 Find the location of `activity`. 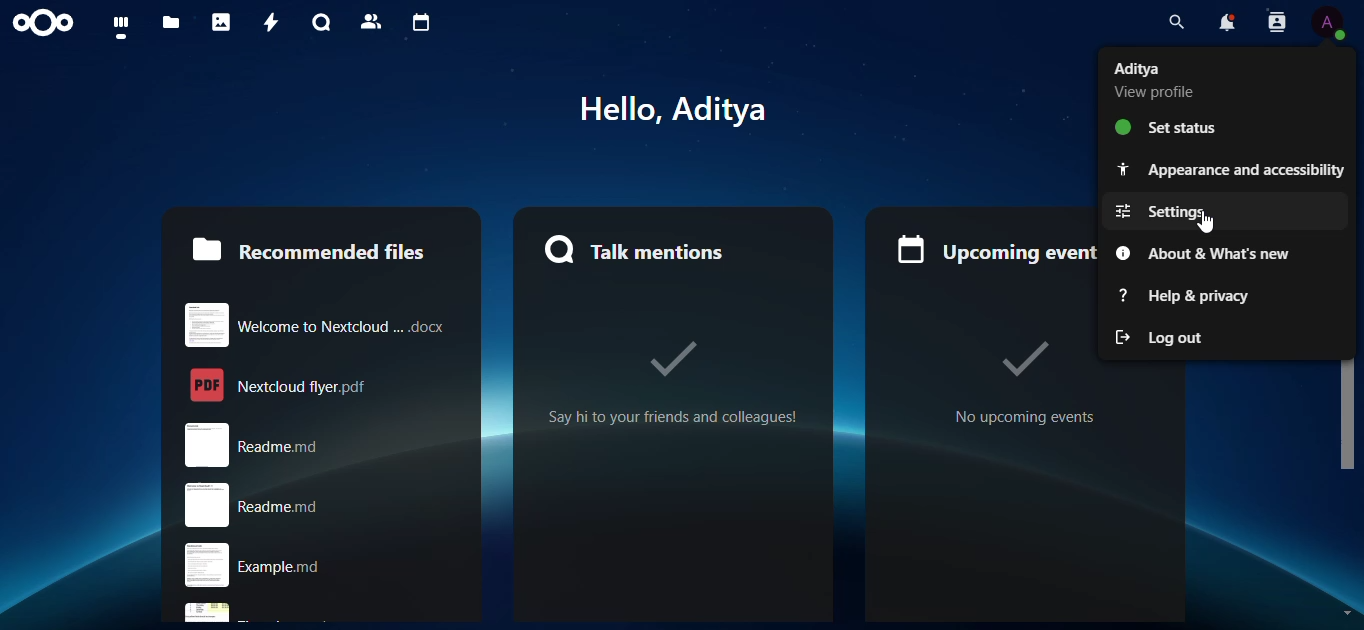

activity is located at coordinates (266, 22).